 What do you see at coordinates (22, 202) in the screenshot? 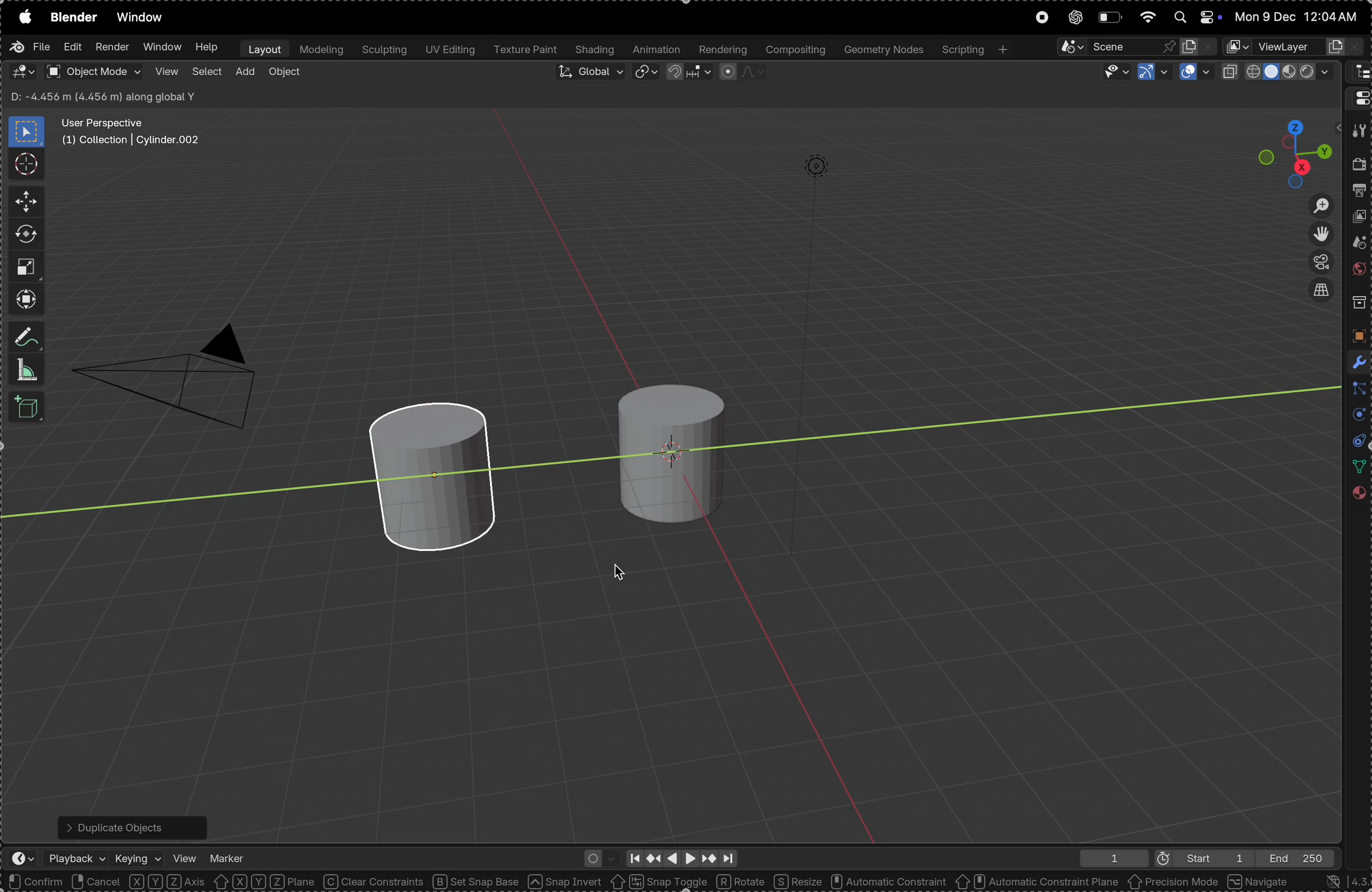
I see `move` at bounding box center [22, 202].